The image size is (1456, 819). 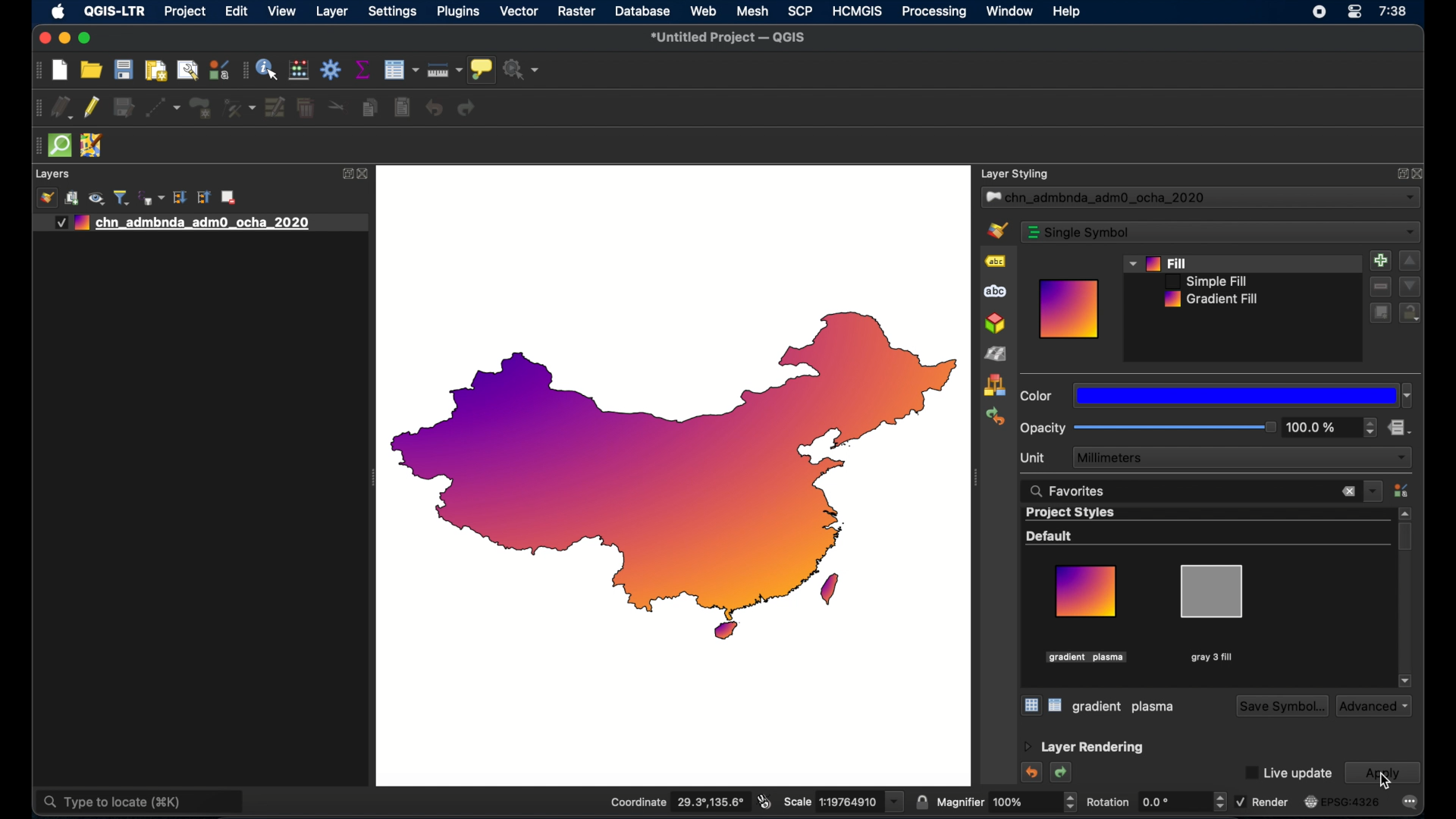 What do you see at coordinates (332, 12) in the screenshot?
I see `layer` at bounding box center [332, 12].